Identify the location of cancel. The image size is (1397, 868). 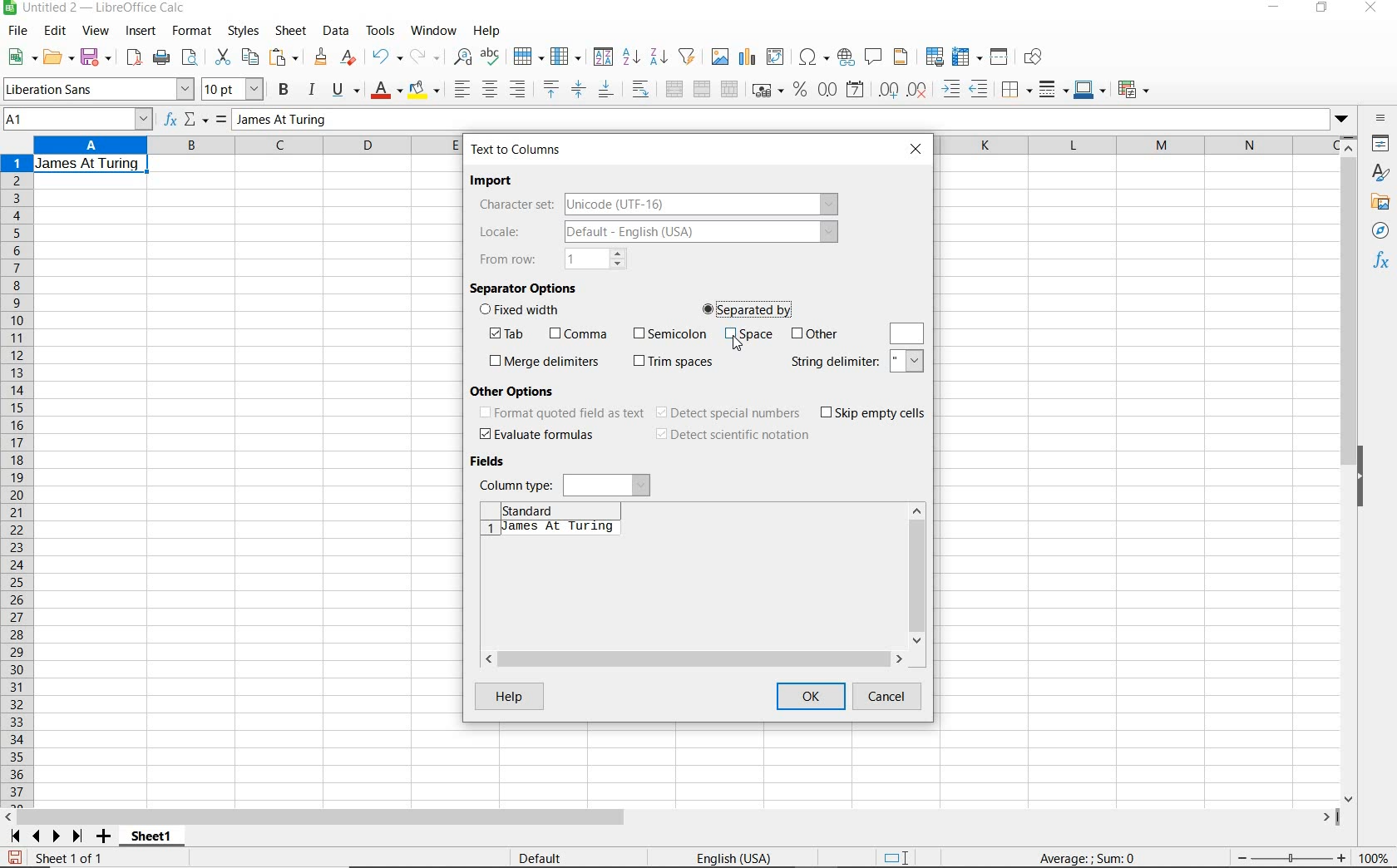
(892, 698).